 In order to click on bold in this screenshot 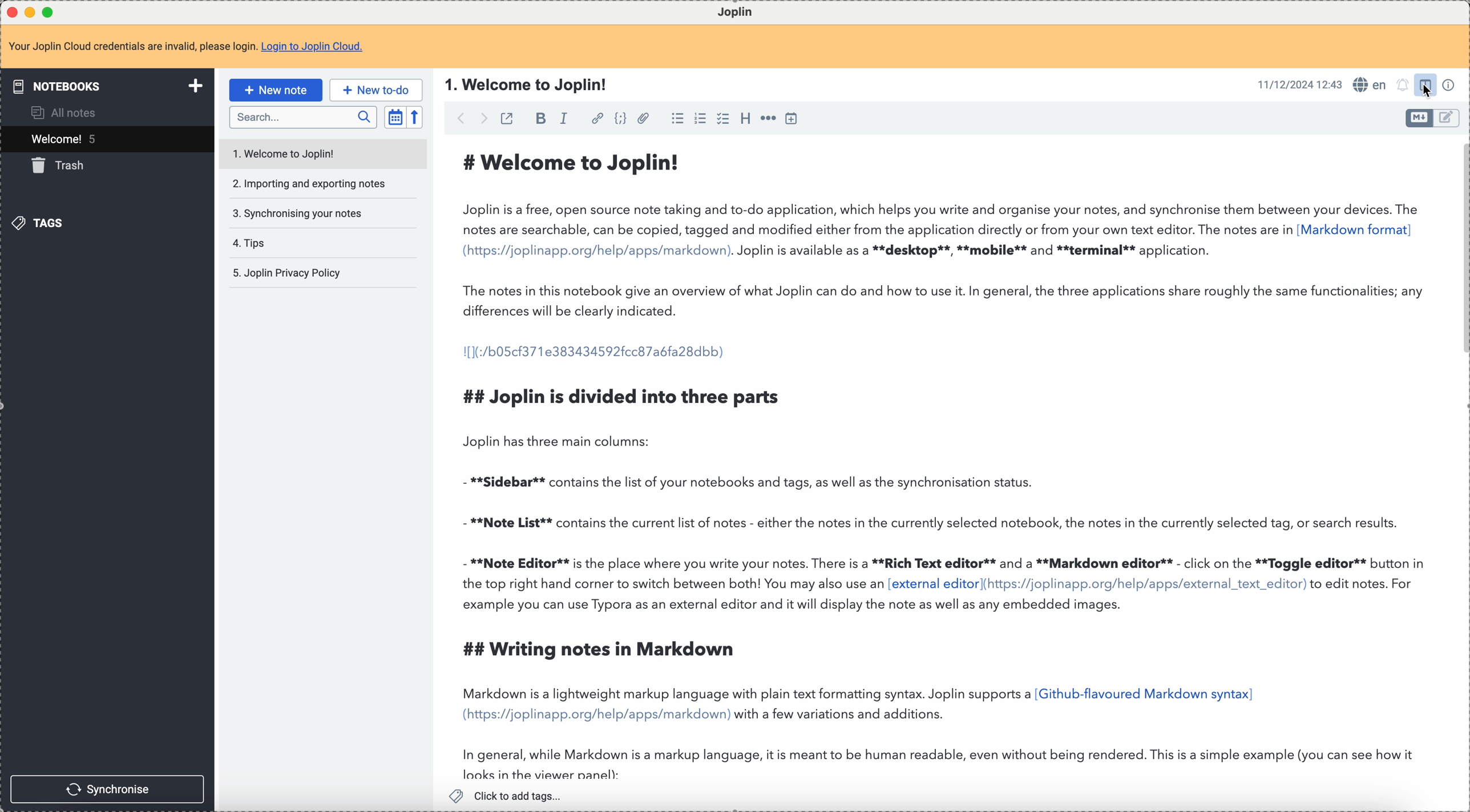, I will do `click(539, 117)`.